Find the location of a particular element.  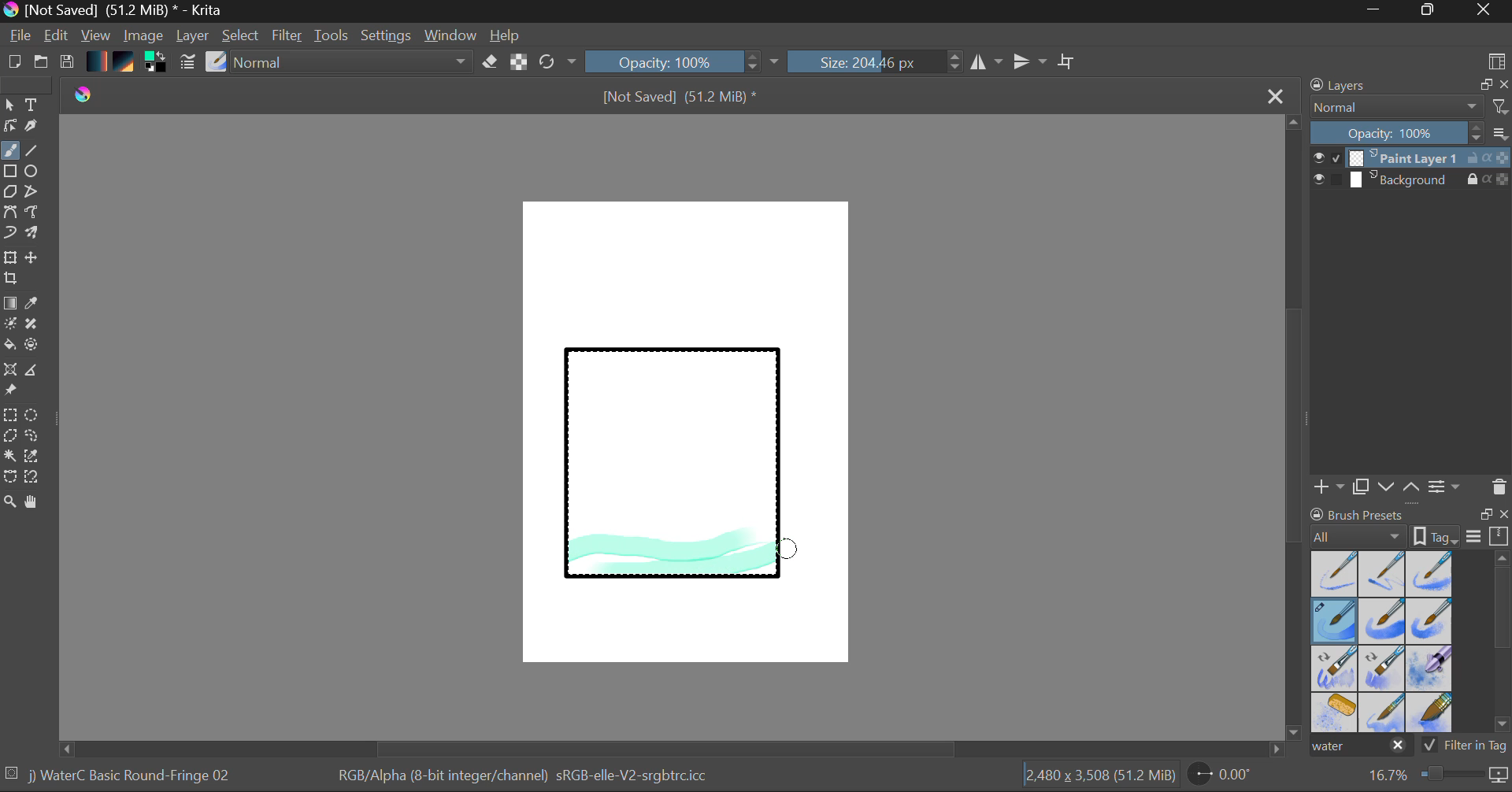

Freehand Selection is located at coordinates (32, 438).